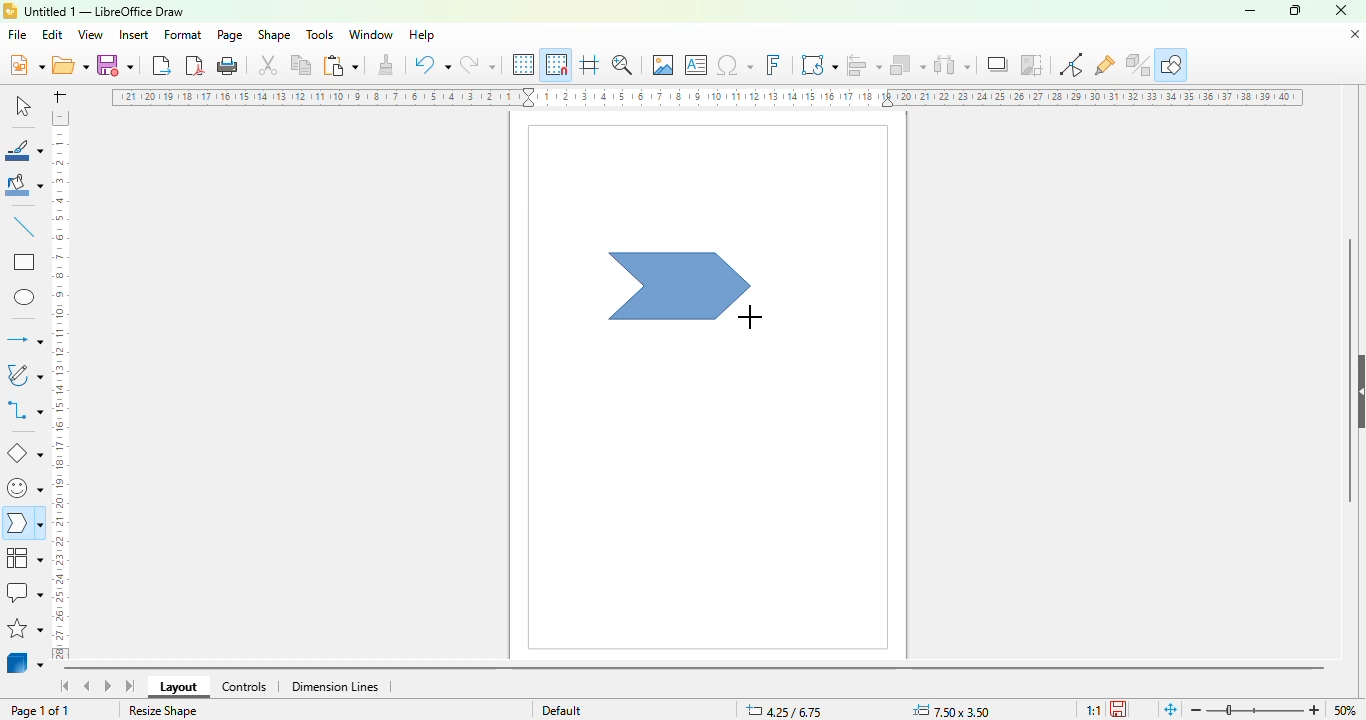  What do you see at coordinates (301, 65) in the screenshot?
I see `copy` at bounding box center [301, 65].